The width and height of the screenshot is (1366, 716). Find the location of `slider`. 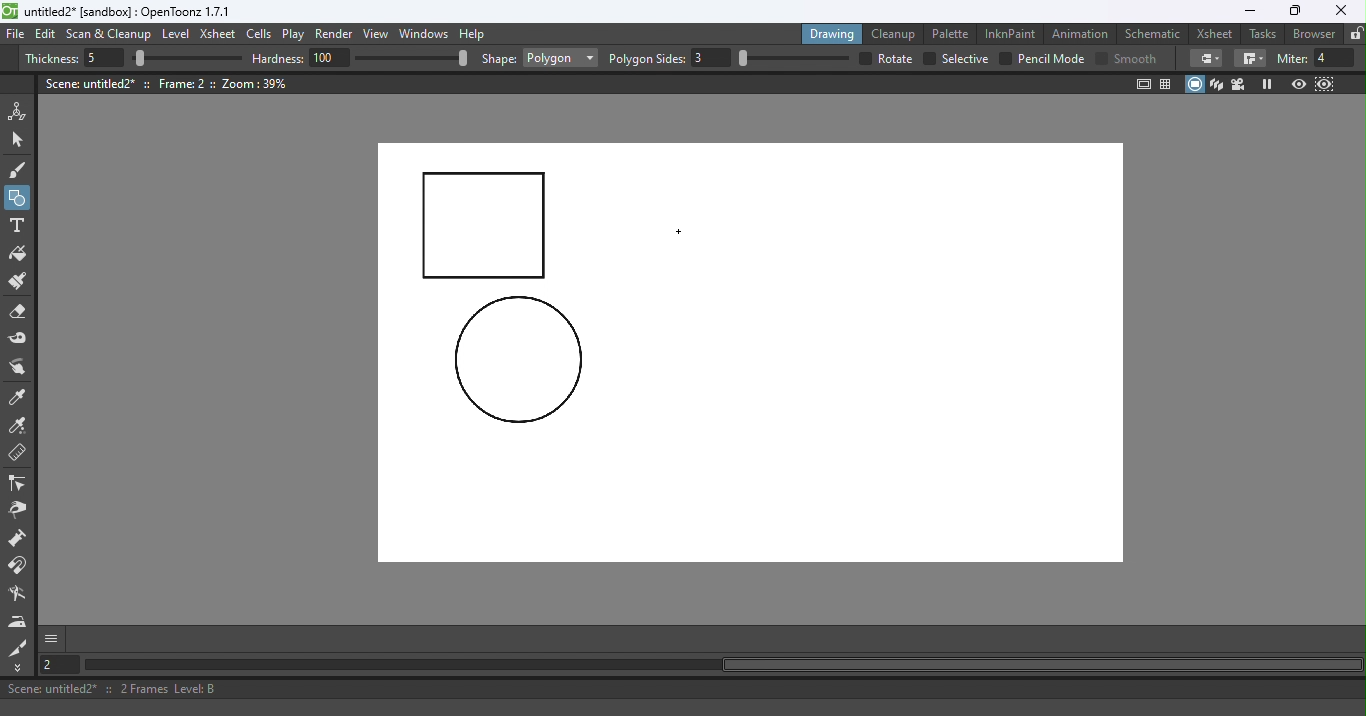

slider is located at coordinates (793, 58).